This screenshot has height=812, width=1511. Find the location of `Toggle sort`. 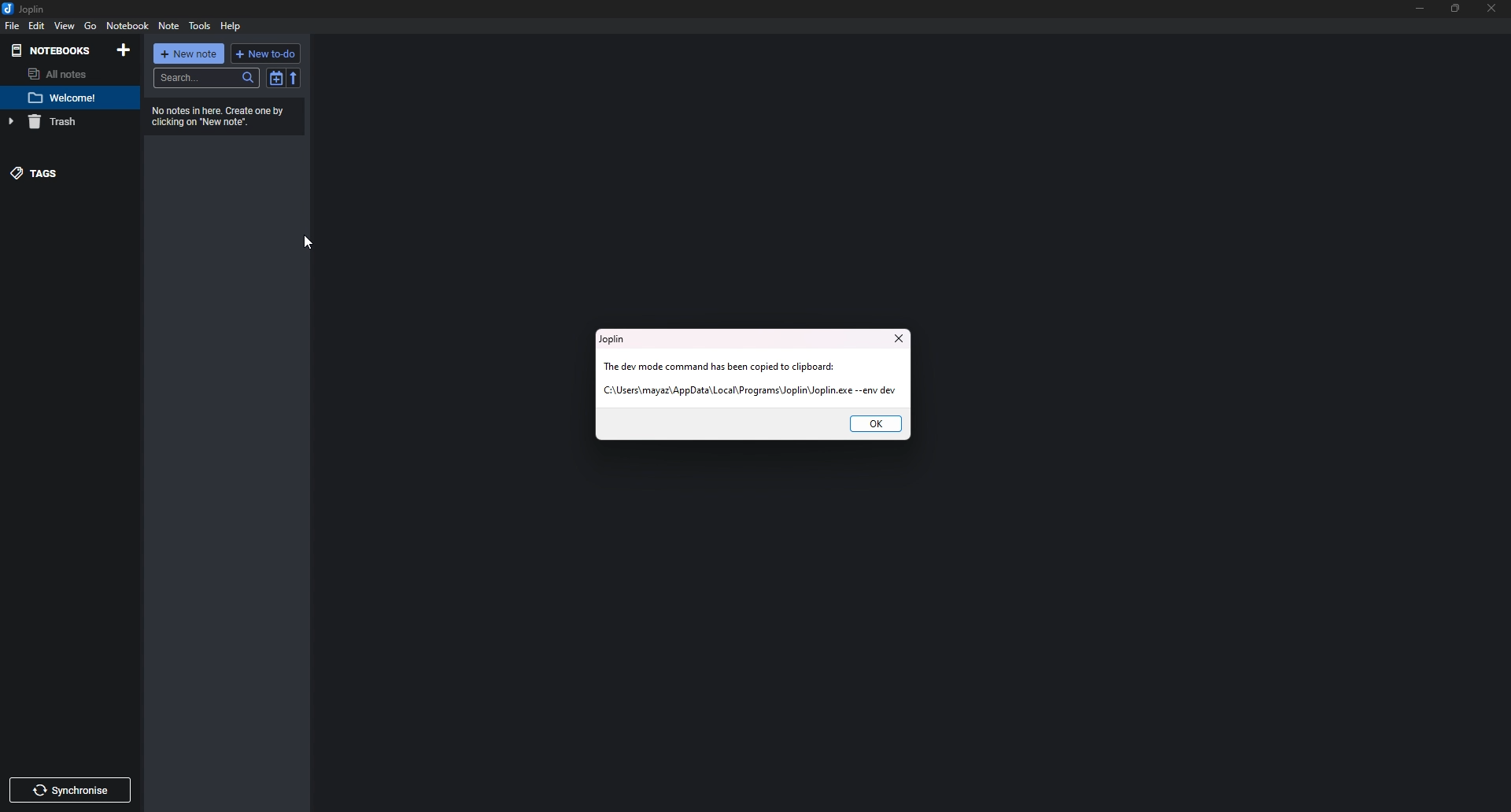

Toggle sort is located at coordinates (275, 79).